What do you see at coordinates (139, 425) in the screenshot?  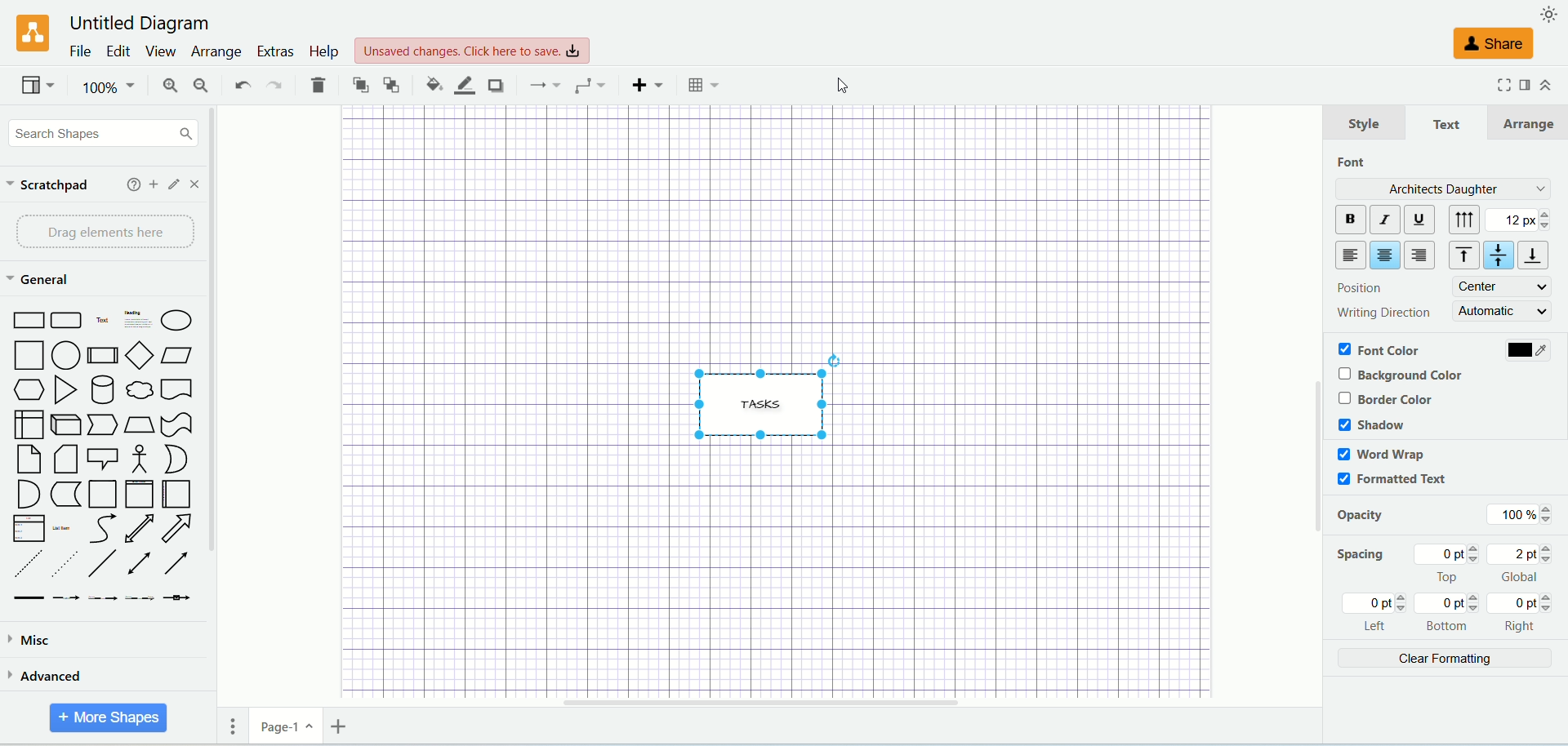 I see `Trapezoid` at bounding box center [139, 425].